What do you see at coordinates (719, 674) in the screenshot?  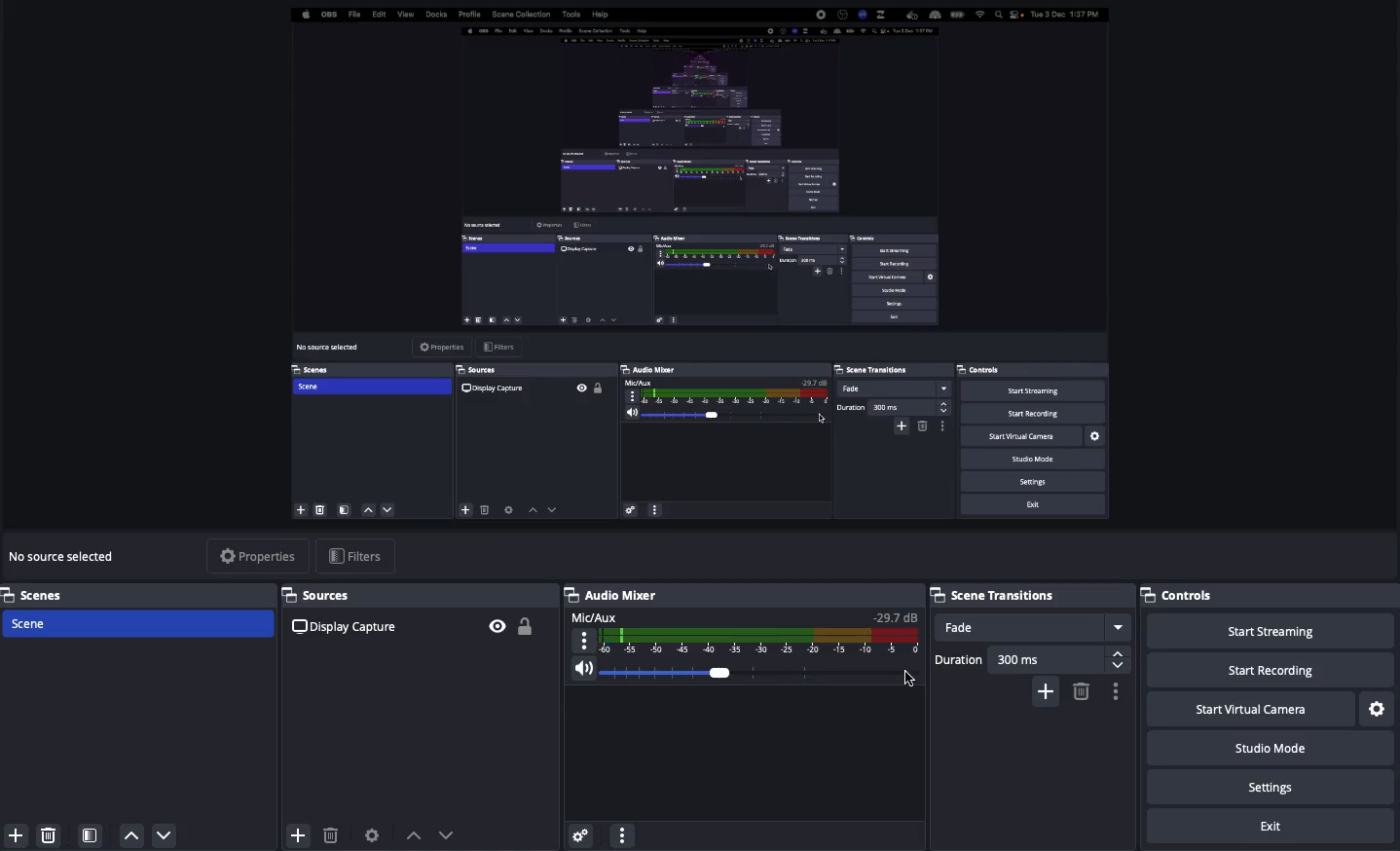 I see `Click` at bounding box center [719, 674].